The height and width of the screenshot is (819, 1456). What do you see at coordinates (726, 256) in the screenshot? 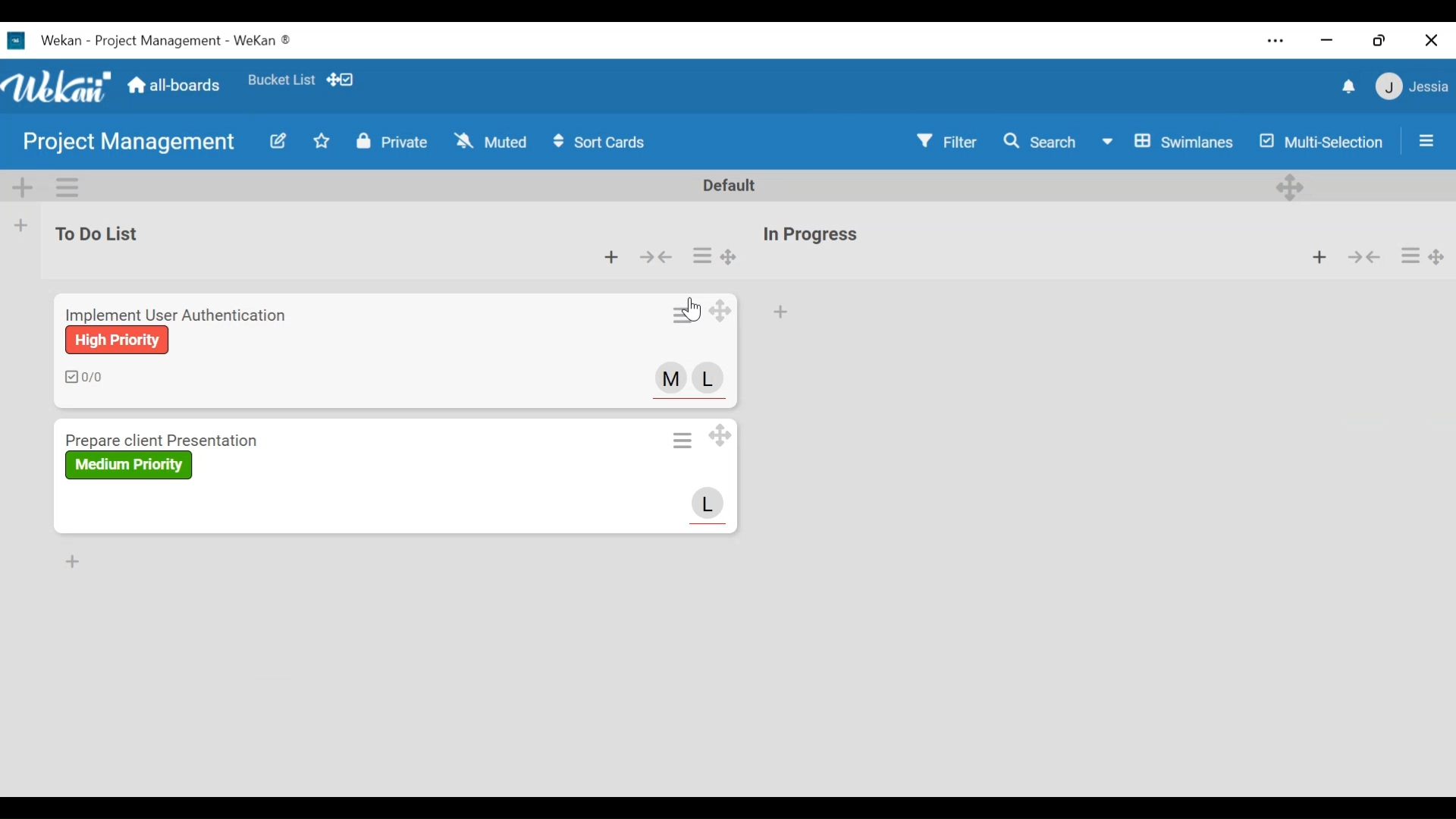
I see `Desktop drag handle` at bounding box center [726, 256].